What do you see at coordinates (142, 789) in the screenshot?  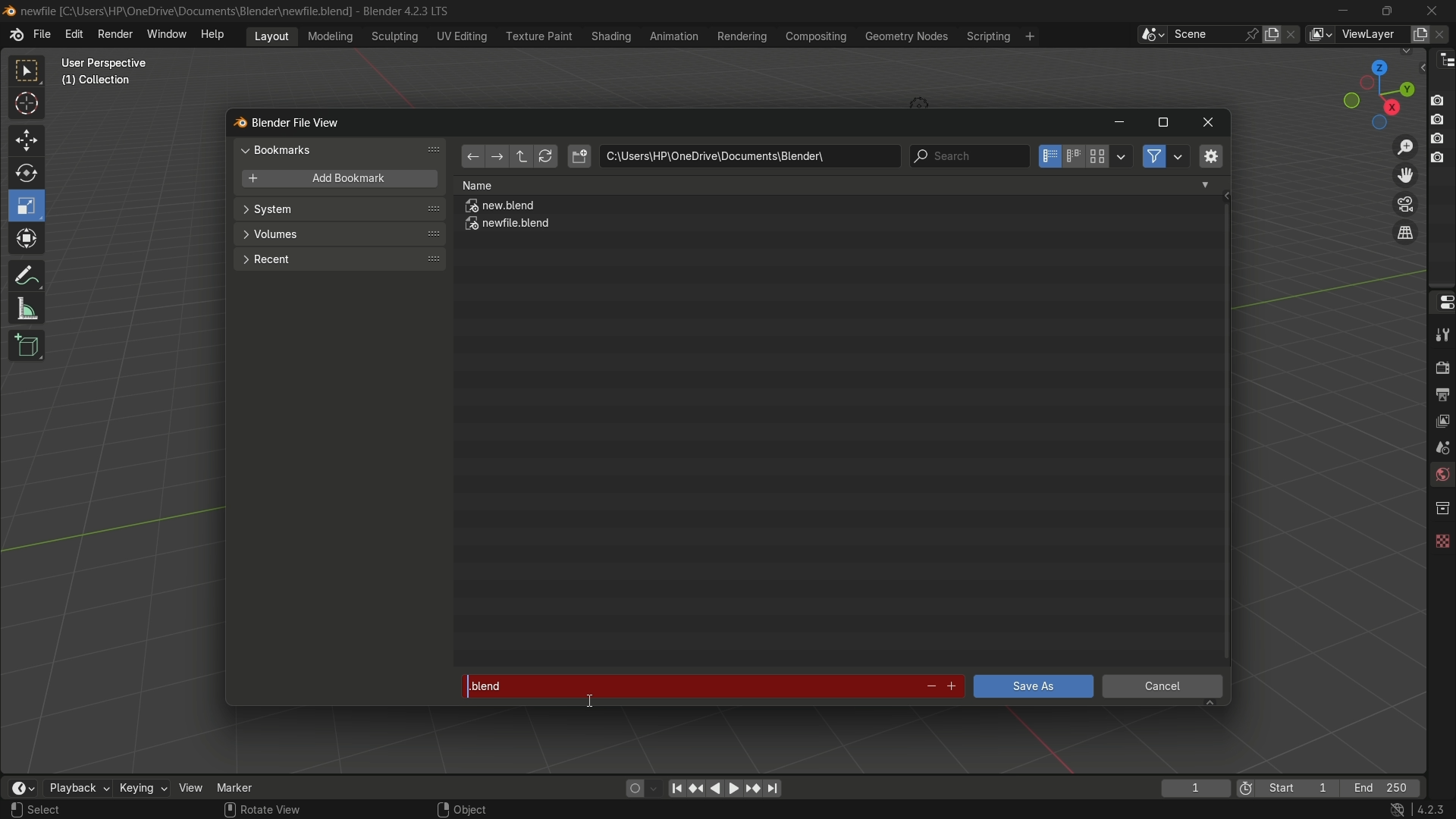 I see `keying` at bounding box center [142, 789].